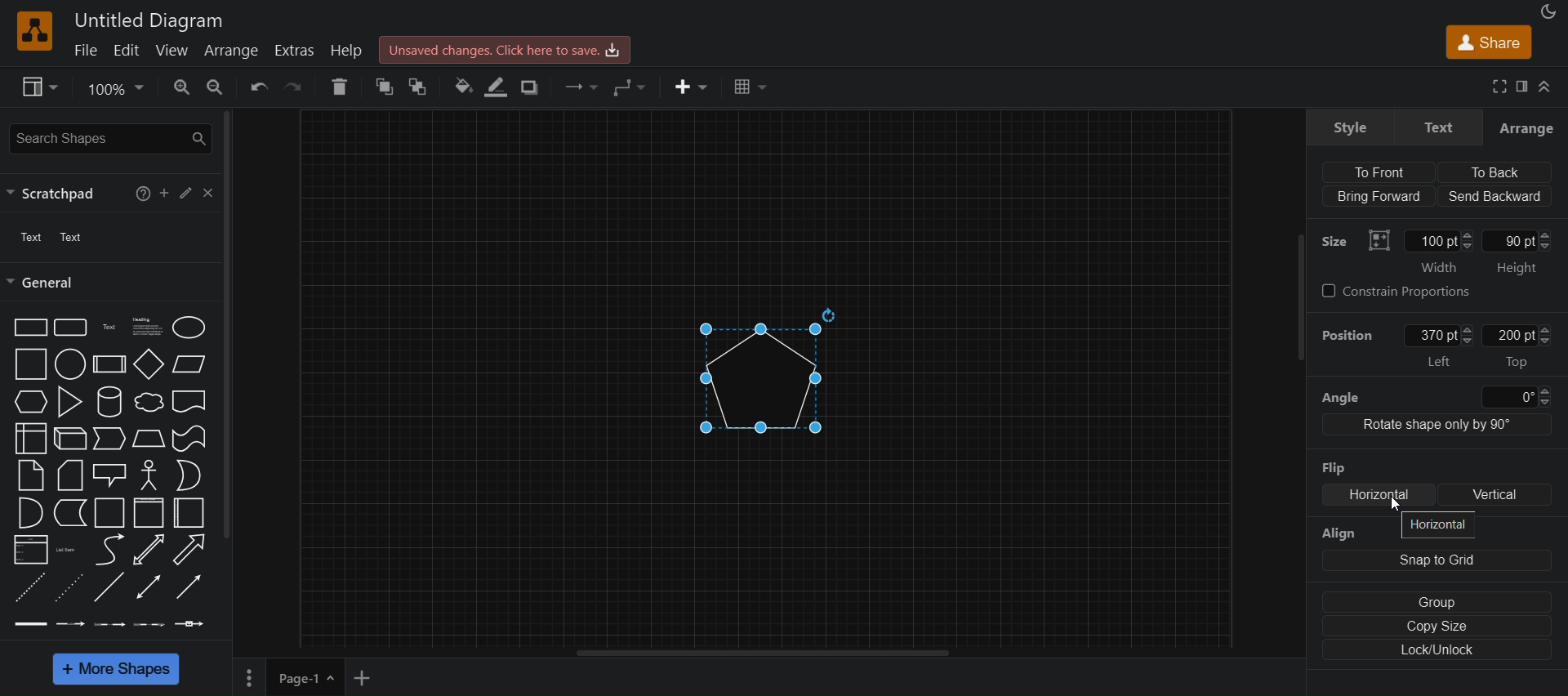 The image size is (1568, 696). I want to click on Circle, so click(71, 364).